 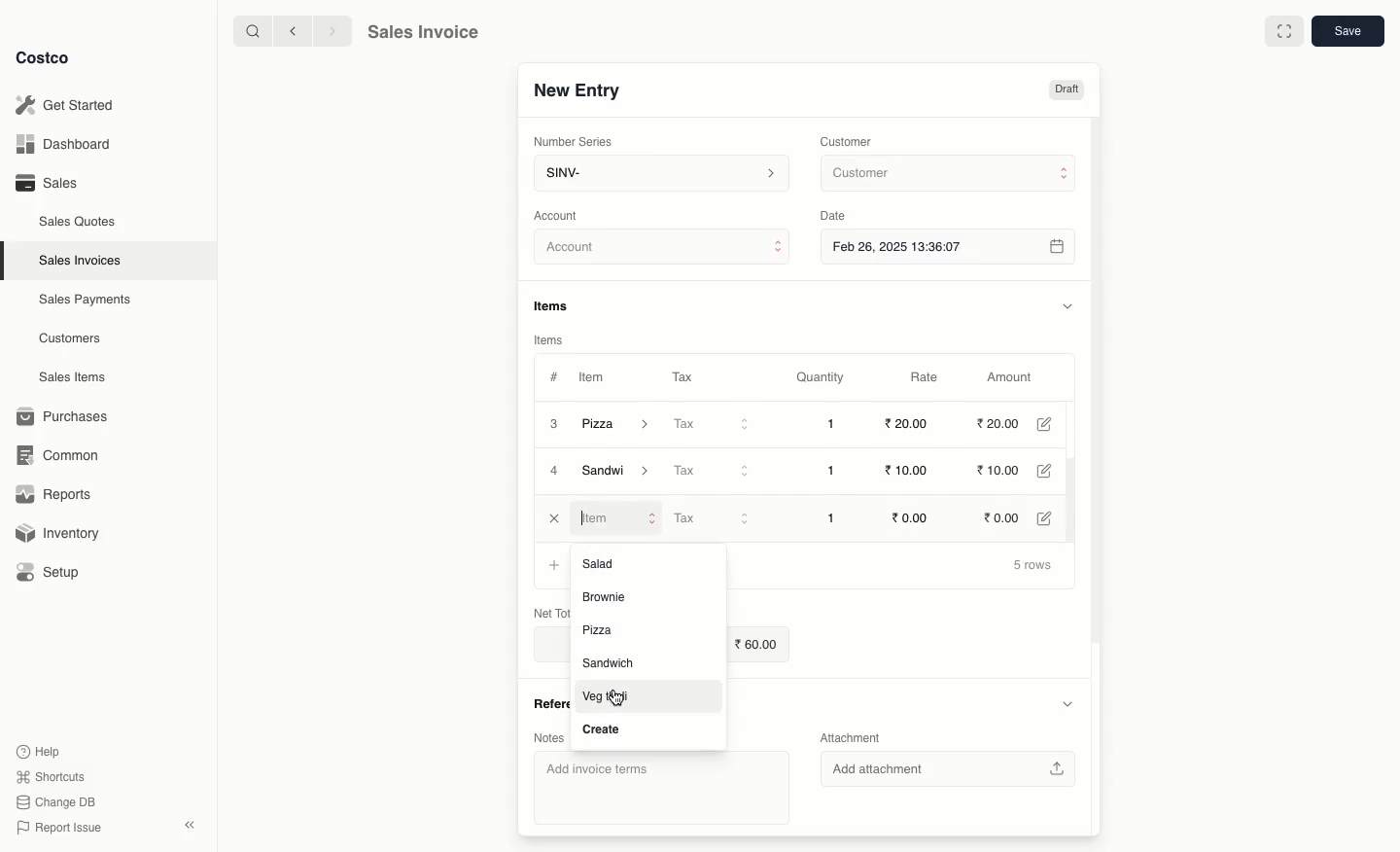 What do you see at coordinates (838, 216) in the screenshot?
I see `Date` at bounding box center [838, 216].